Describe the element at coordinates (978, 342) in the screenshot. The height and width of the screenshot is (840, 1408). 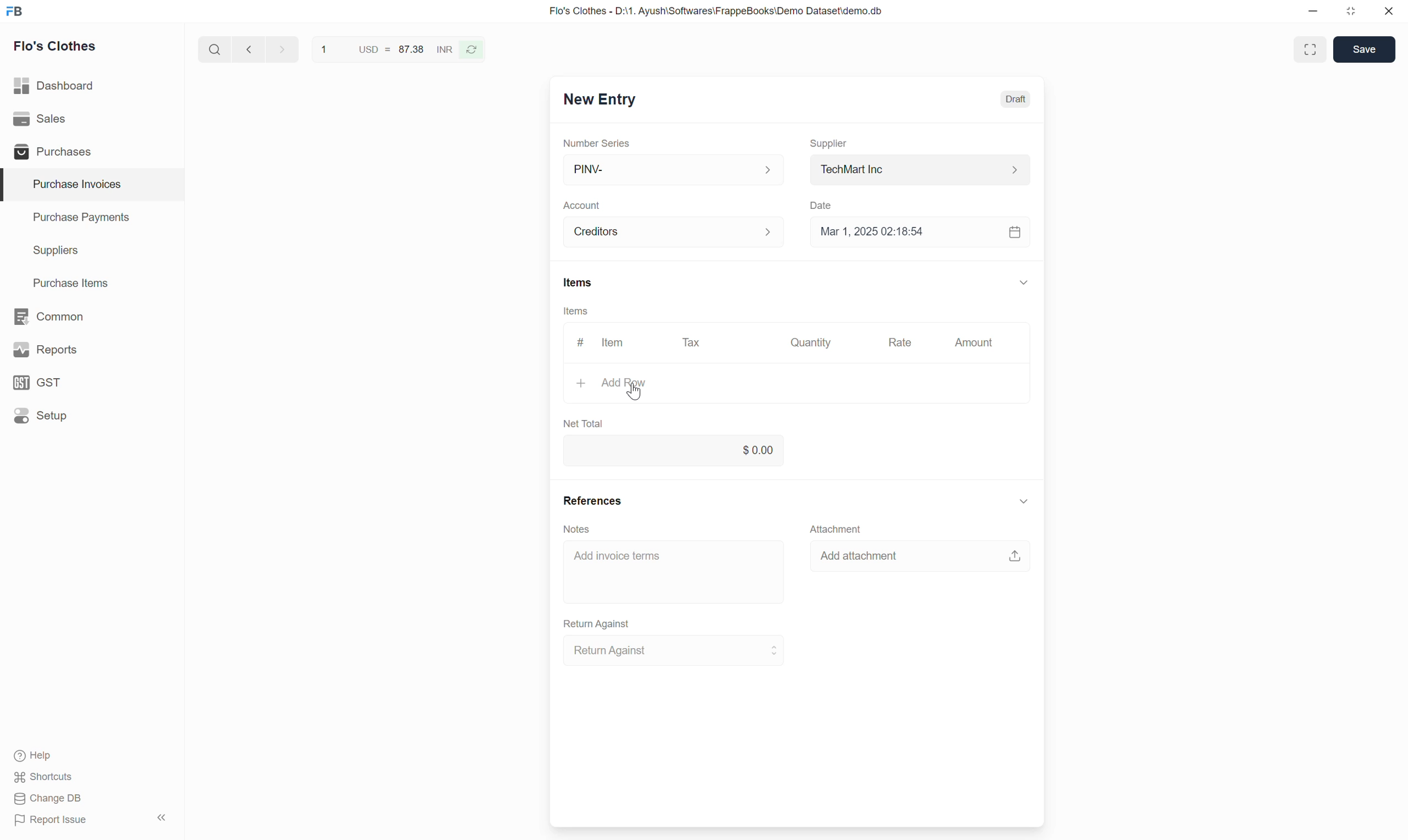
I see `Amount` at that location.